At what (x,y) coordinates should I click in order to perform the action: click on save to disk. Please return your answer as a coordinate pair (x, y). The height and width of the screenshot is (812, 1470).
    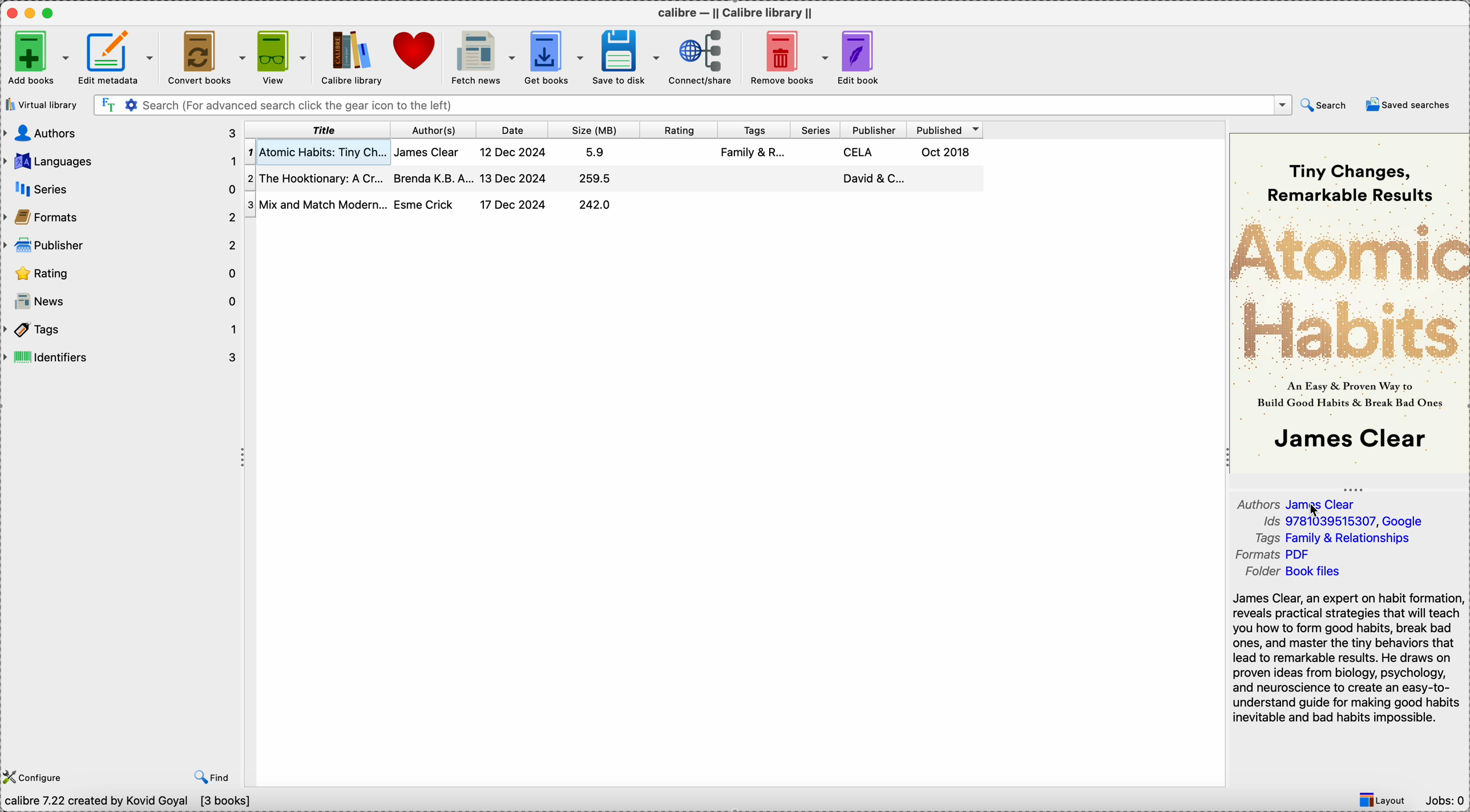
    Looking at the image, I should click on (625, 58).